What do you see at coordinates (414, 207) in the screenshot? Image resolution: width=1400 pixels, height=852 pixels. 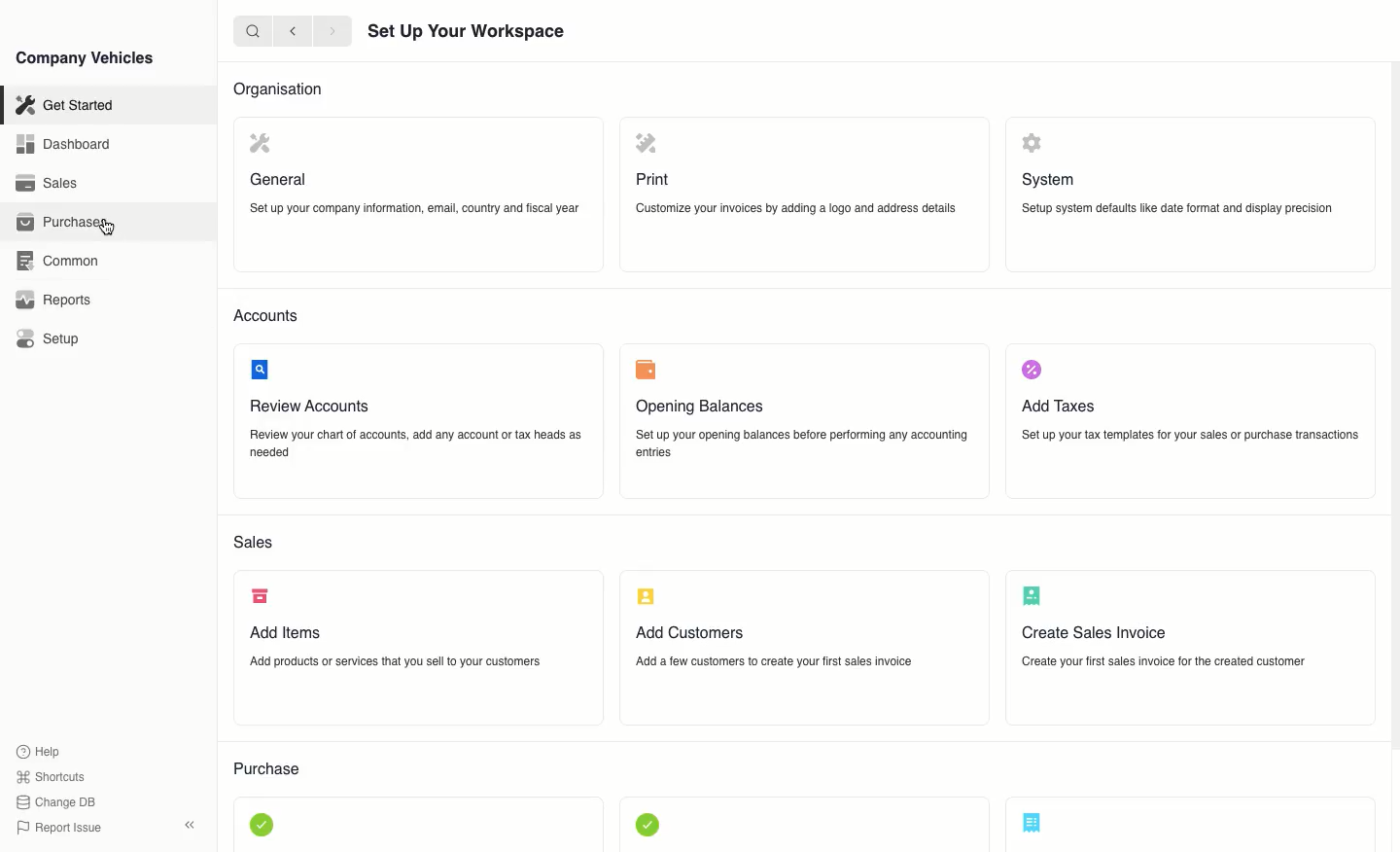 I see `Set up your company information, email, country and fiscal year` at bounding box center [414, 207].